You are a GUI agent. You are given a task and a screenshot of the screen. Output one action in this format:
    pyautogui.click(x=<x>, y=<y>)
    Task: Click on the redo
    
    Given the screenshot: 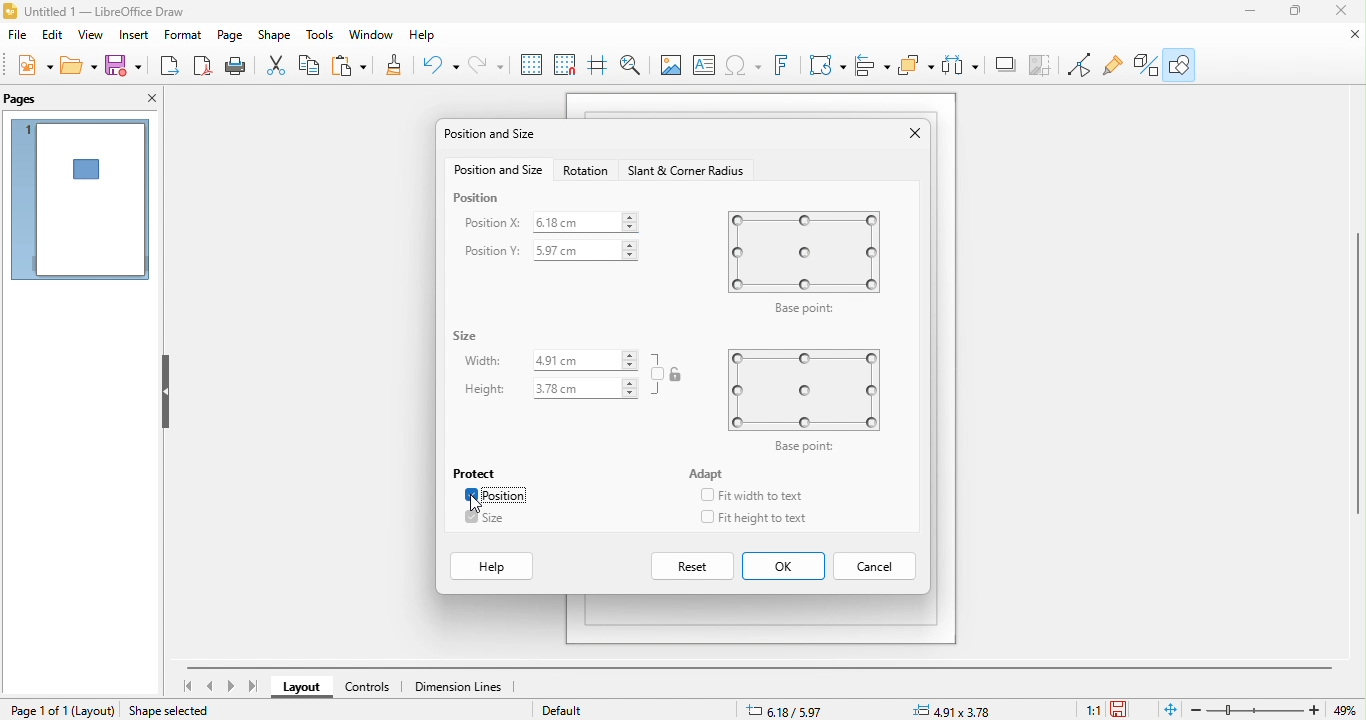 What is the action you would take?
    pyautogui.click(x=486, y=66)
    